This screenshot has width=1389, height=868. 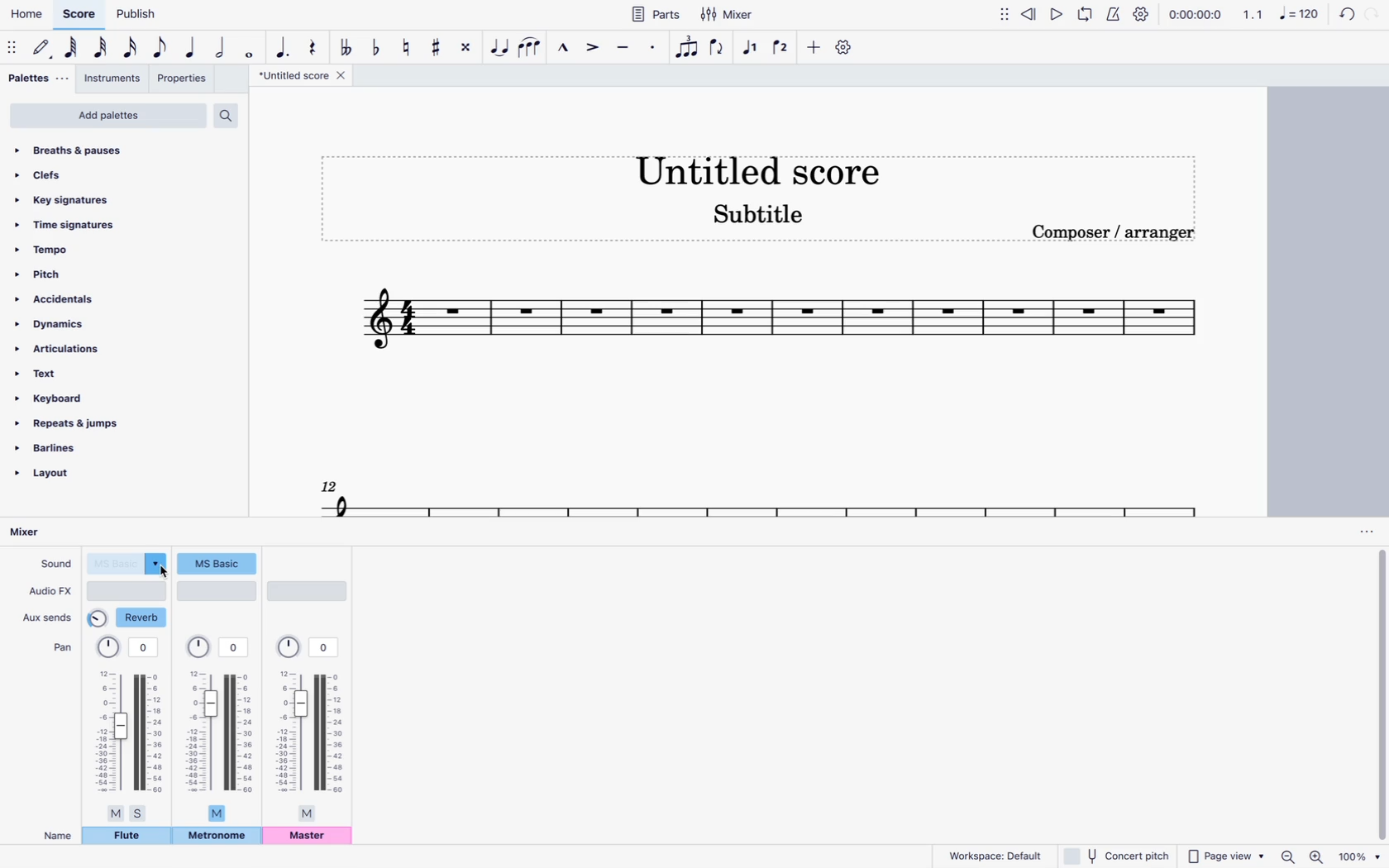 What do you see at coordinates (346, 47) in the screenshot?
I see `toggle double flat` at bounding box center [346, 47].